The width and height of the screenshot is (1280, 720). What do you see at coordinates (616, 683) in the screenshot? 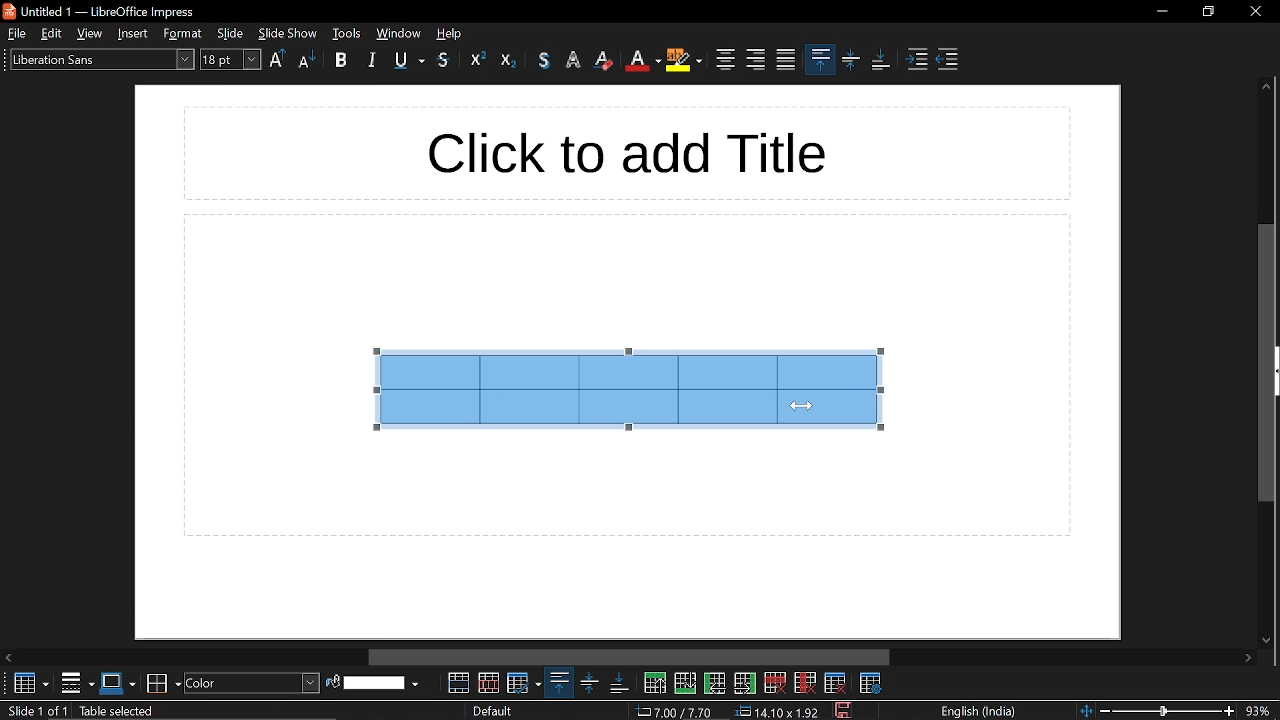
I see `align bottom` at bounding box center [616, 683].